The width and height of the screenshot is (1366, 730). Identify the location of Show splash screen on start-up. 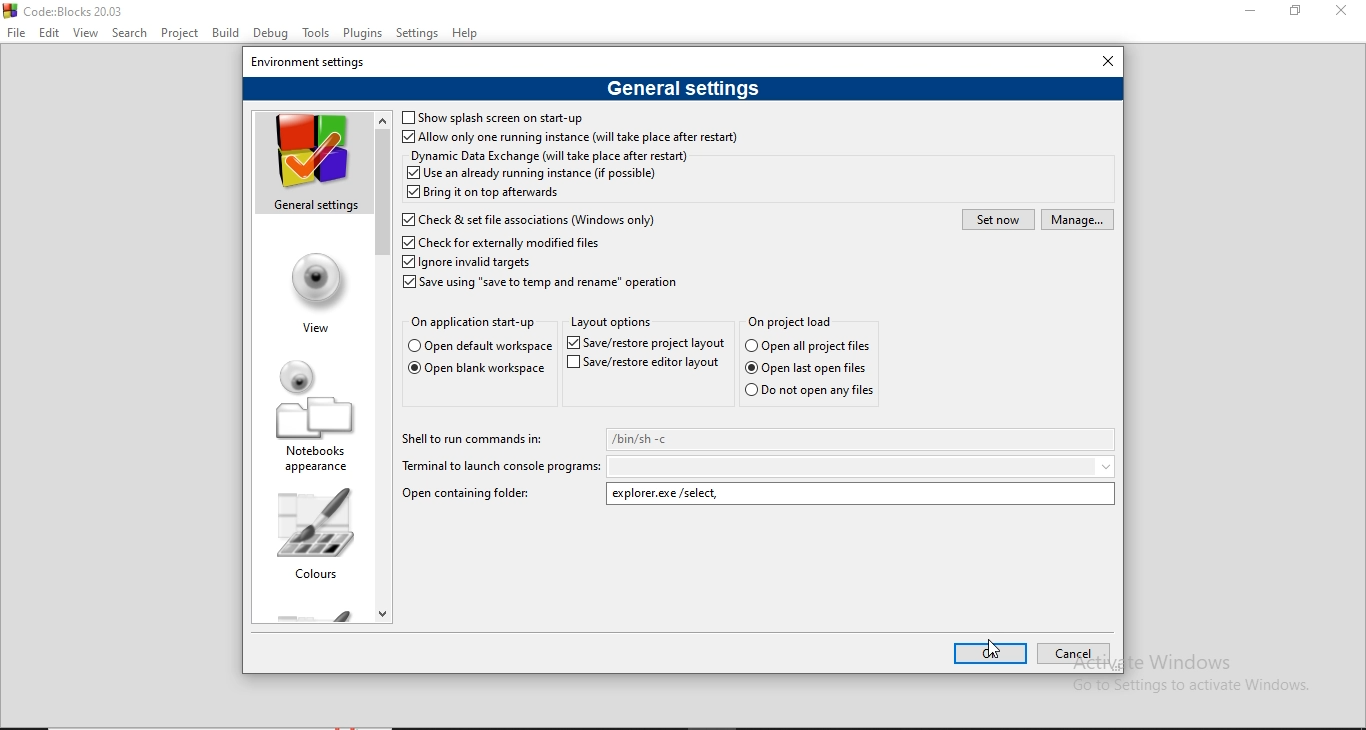
(503, 117).